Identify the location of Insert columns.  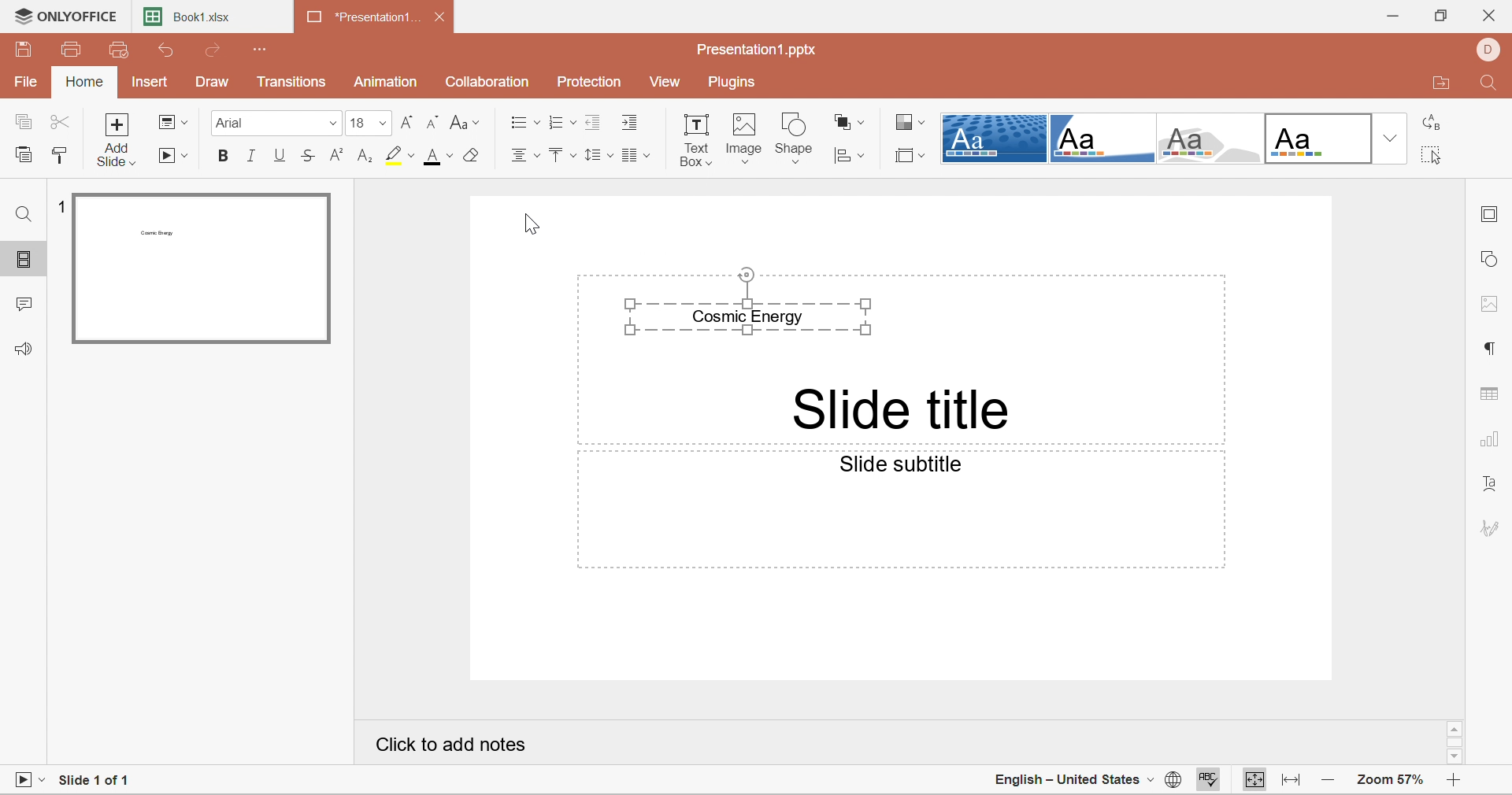
(639, 157).